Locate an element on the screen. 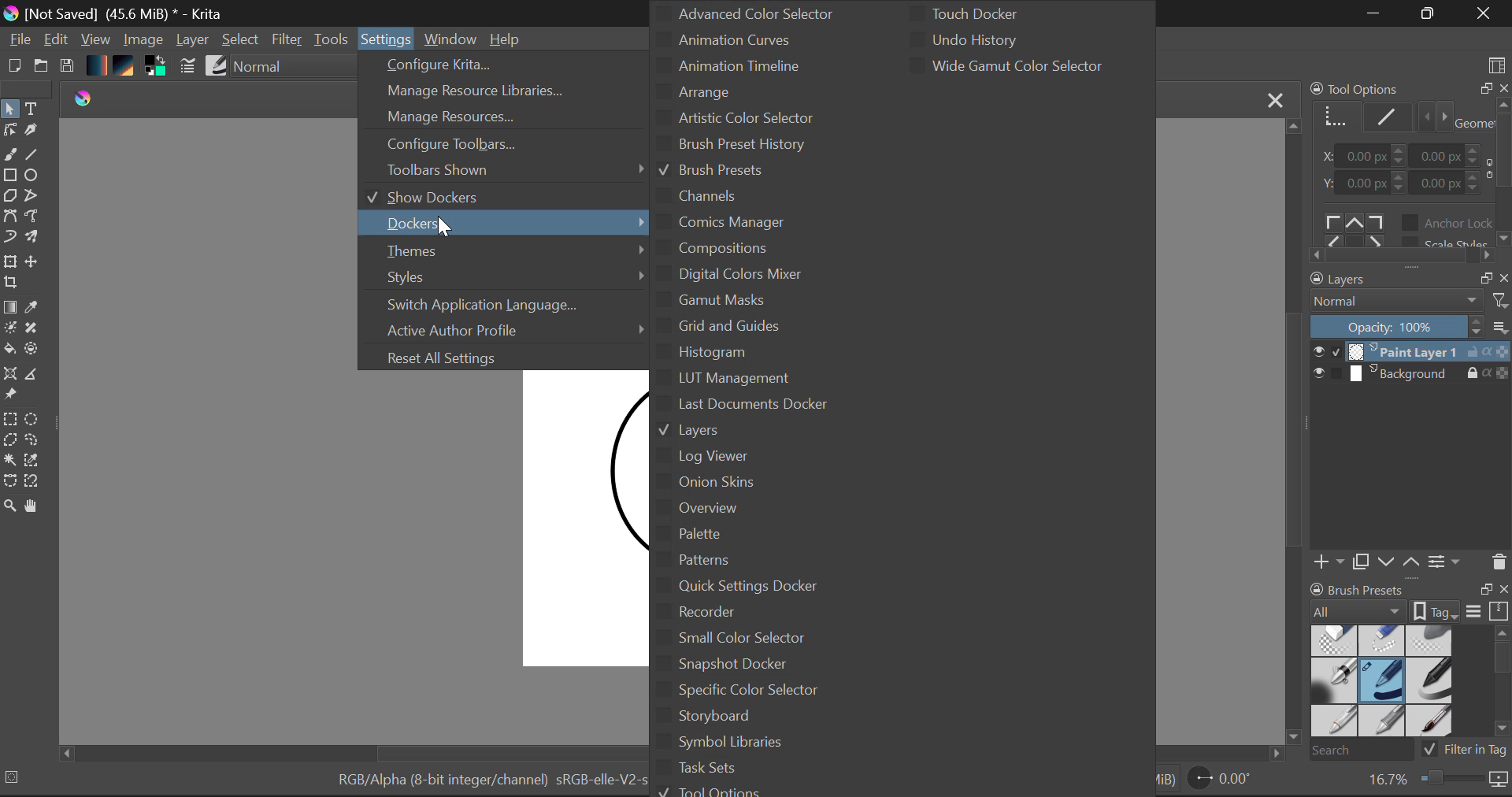  Brush Preset History is located at coordinates (747, 146).